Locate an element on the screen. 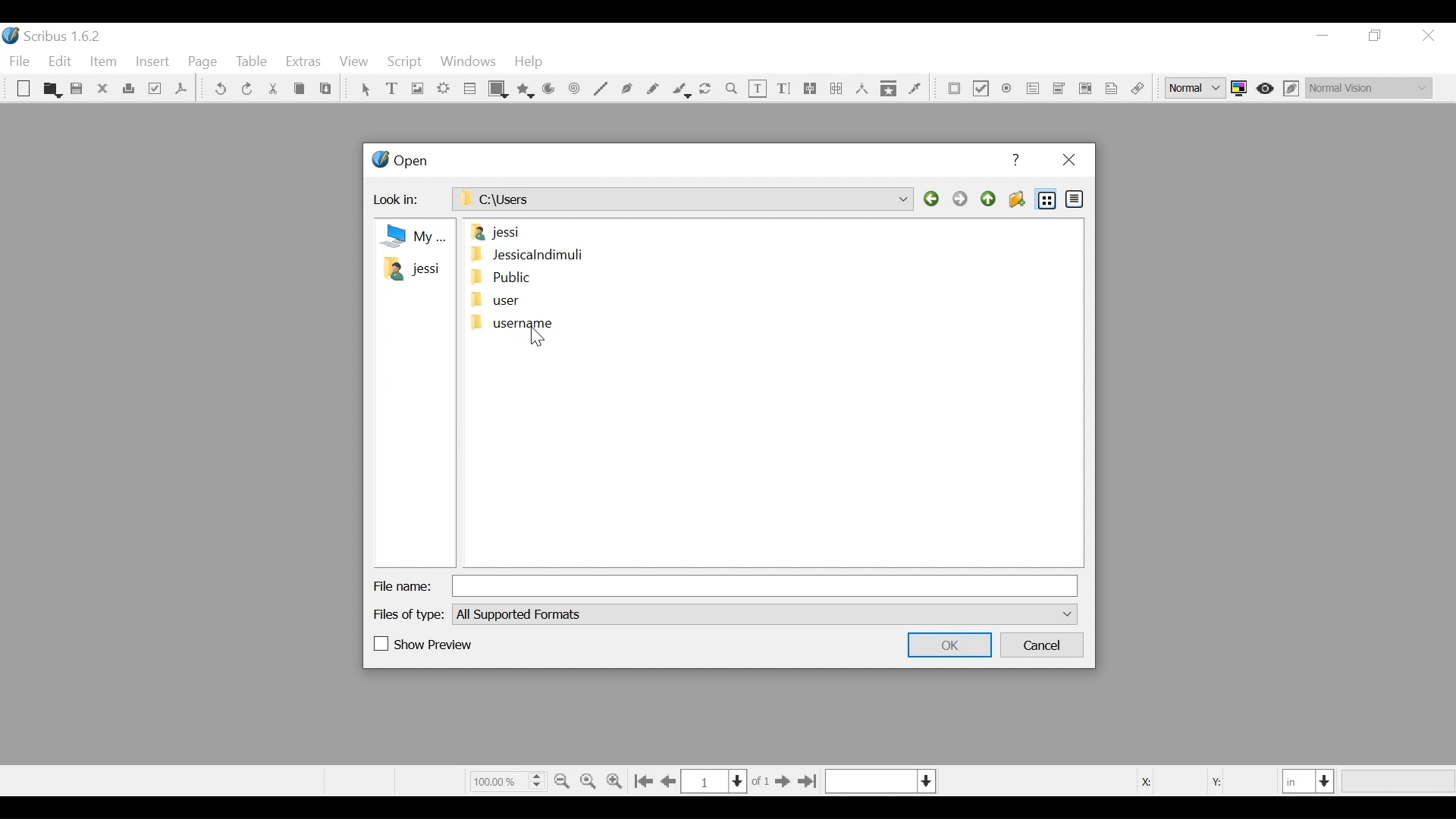  PDF Radio Button is located at coordinates (1008, 90).